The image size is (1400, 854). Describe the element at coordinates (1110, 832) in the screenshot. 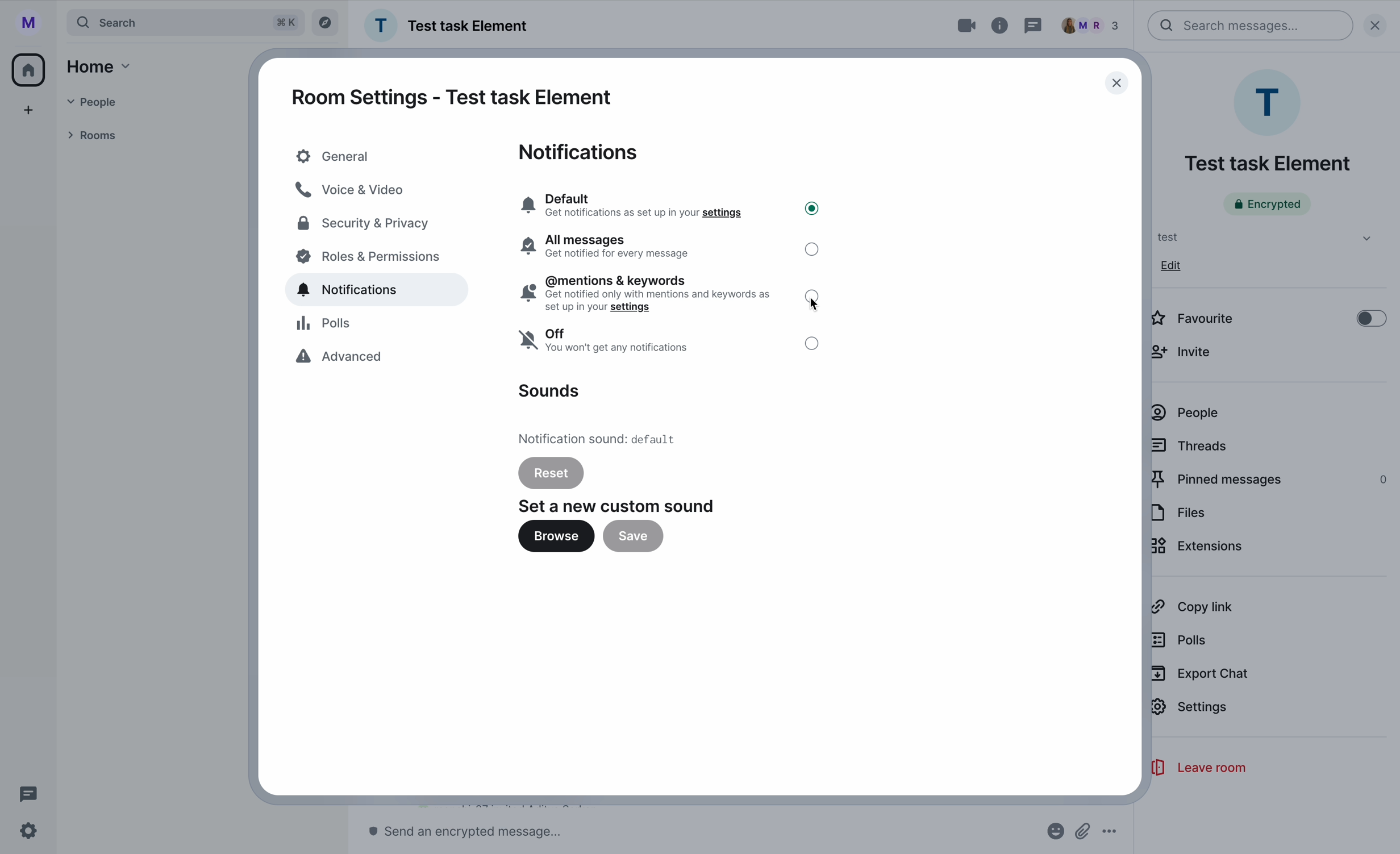

I see `more options` at that location.